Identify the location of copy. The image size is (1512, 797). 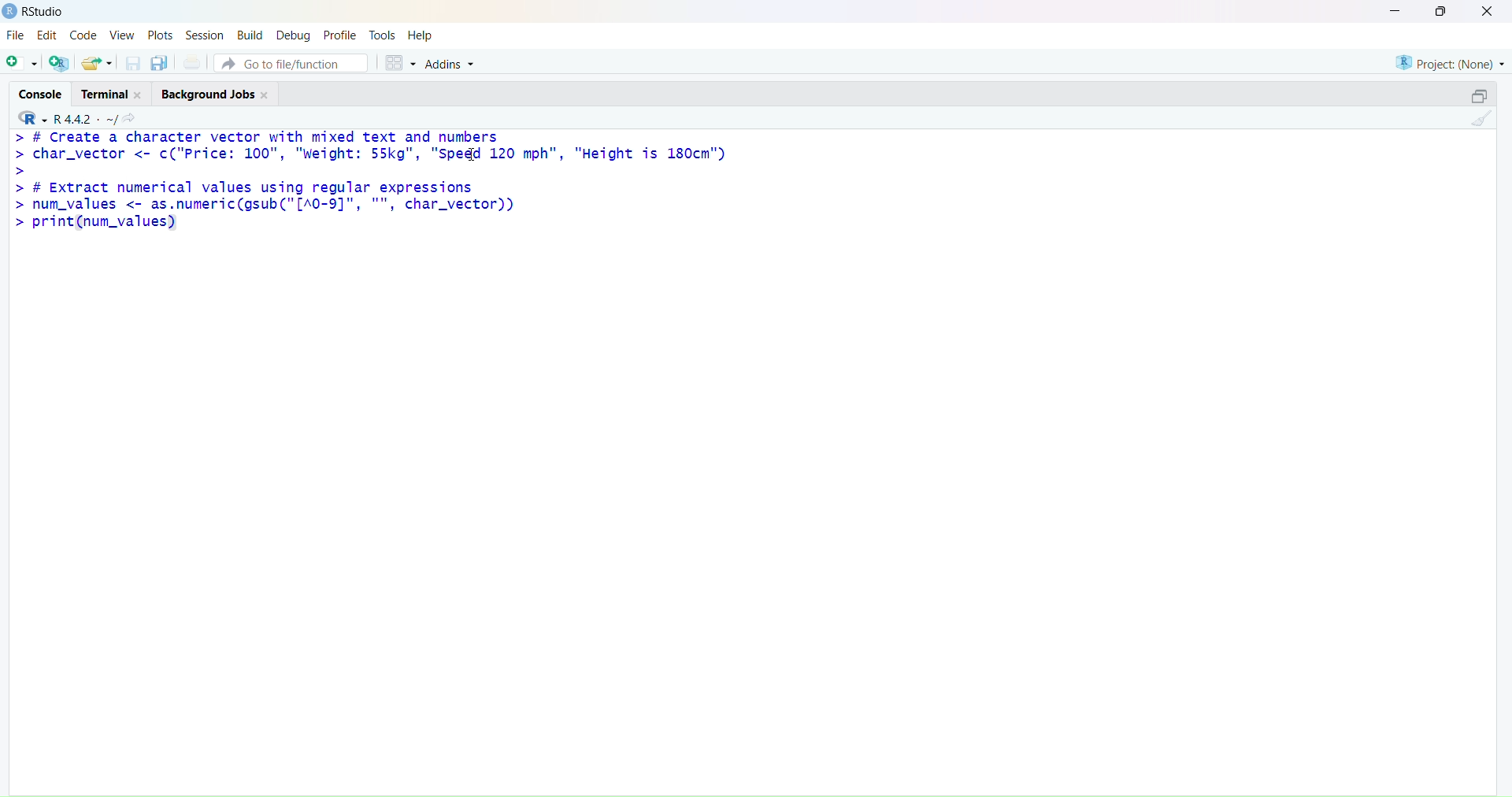
(159, 63).